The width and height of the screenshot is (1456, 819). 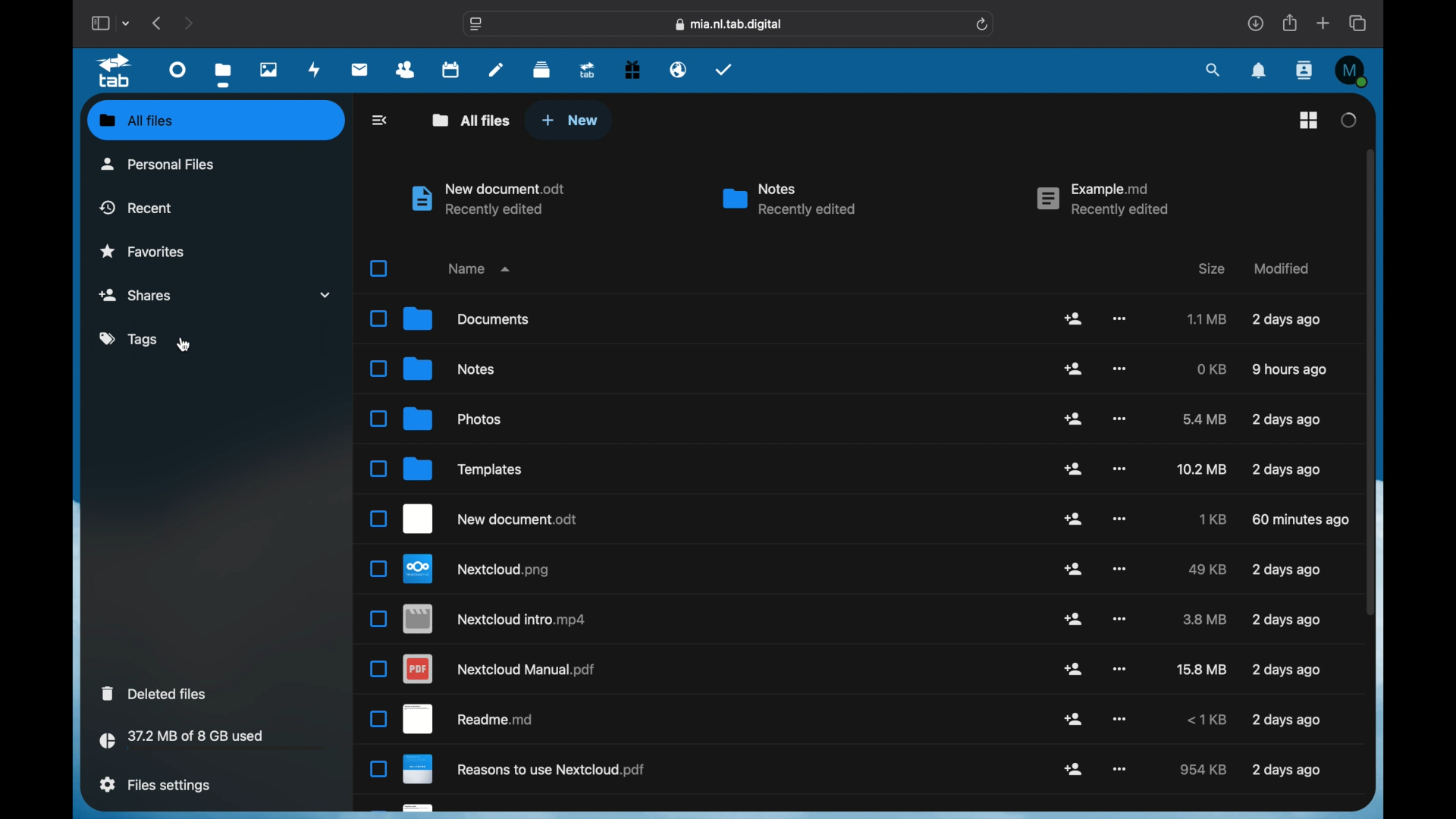 What do you see at coordinates (1207, 319) in the screenshot?
I see `size` at bounding box center [1207, 319].